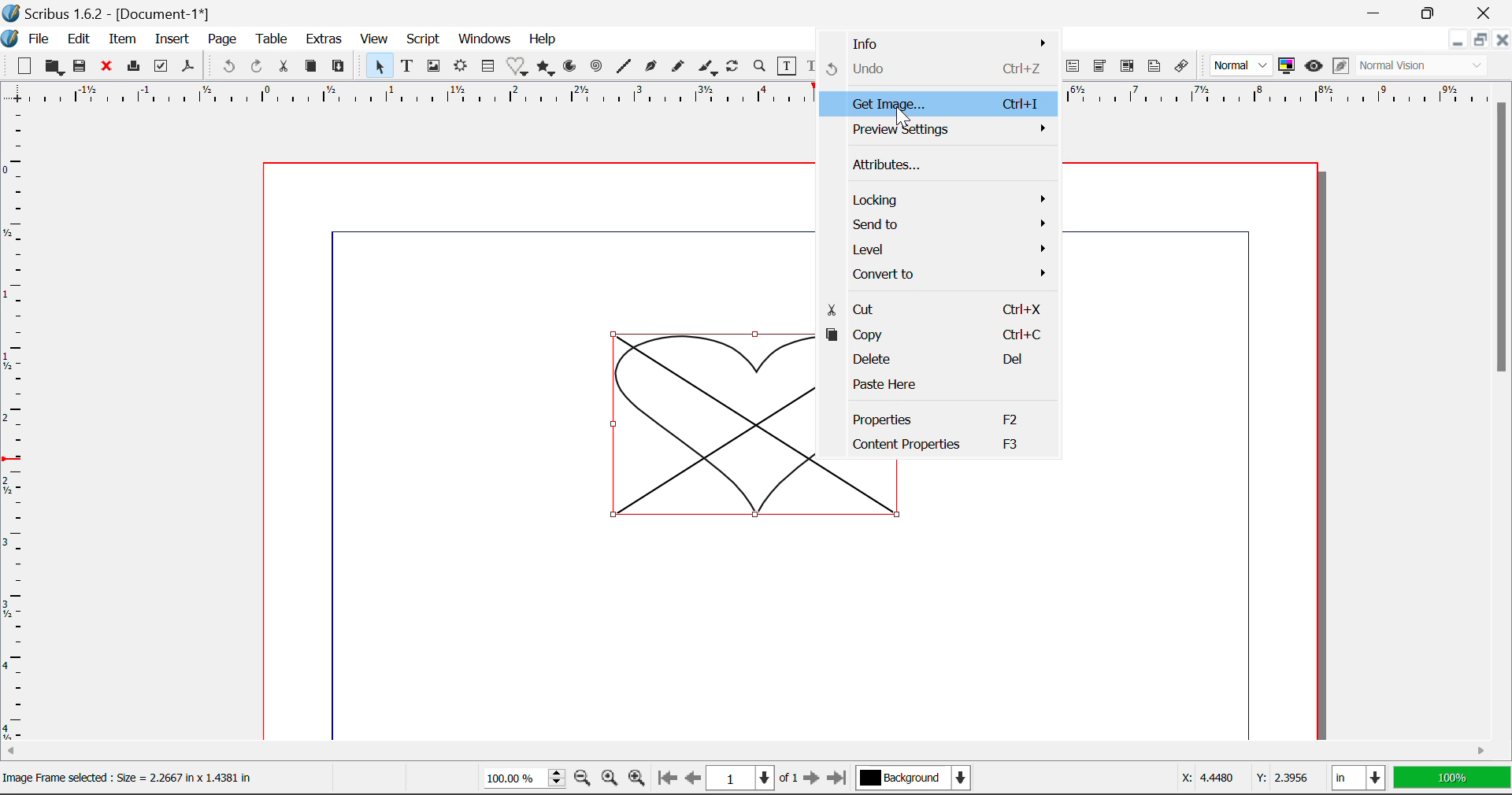  What do you see at coordinates (136, 67) in the screenshot?
I see `Print` at bounding box center [136, 67].